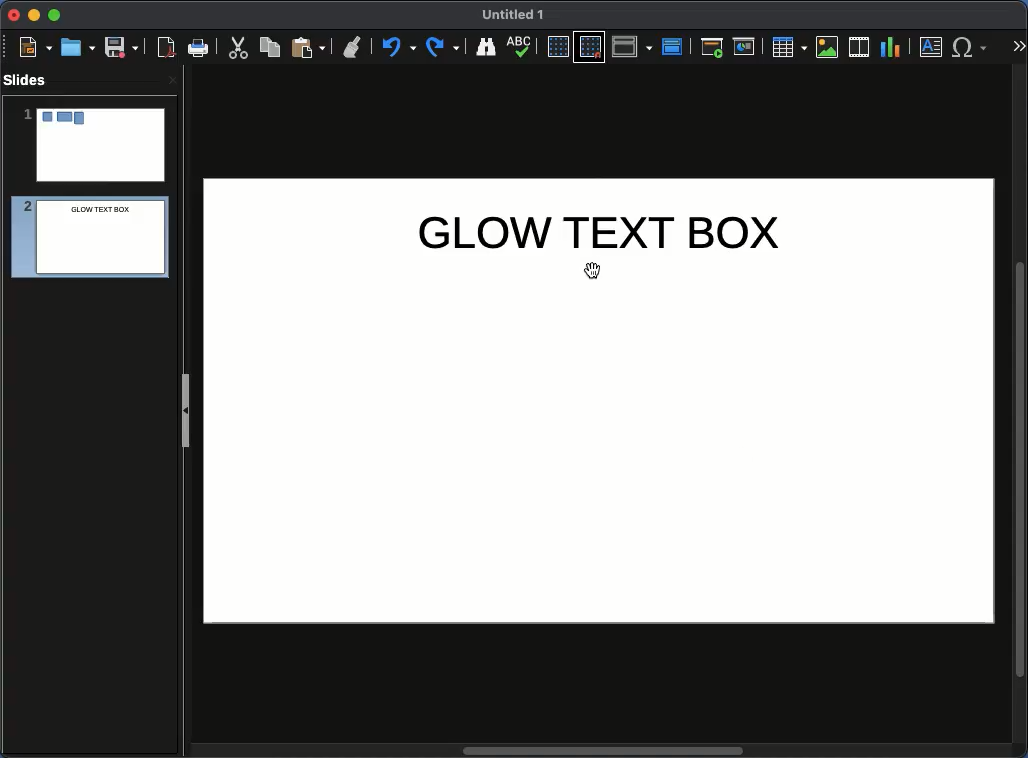 The height and width of the screenshot is (758, 1028). Describe the element at coordinates (93, 145) in the screenshot. I see `Slide 1` at that location.